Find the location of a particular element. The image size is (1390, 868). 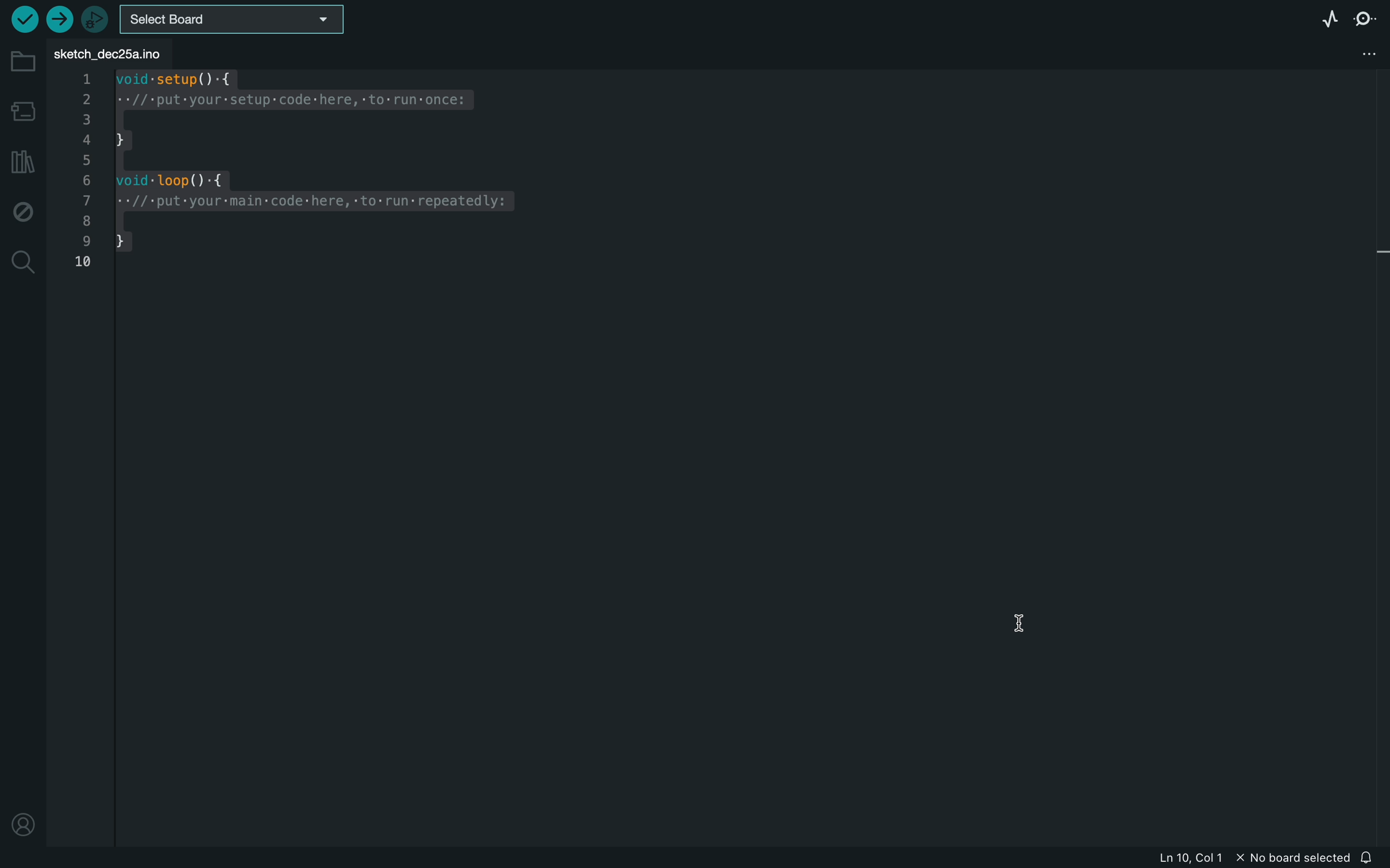

cursor is located at coordinates (1020, 627).